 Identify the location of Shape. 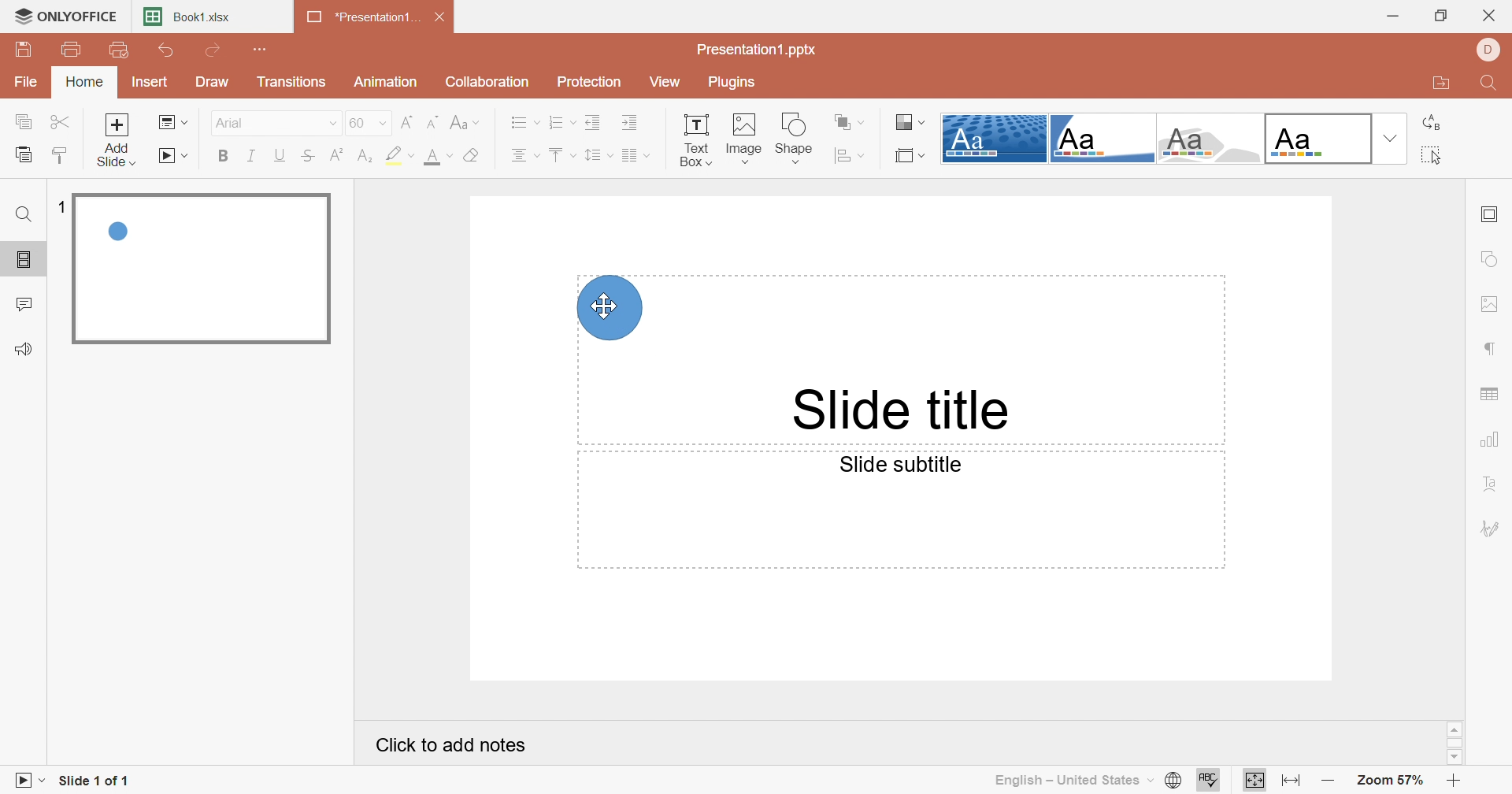
(795, 138).